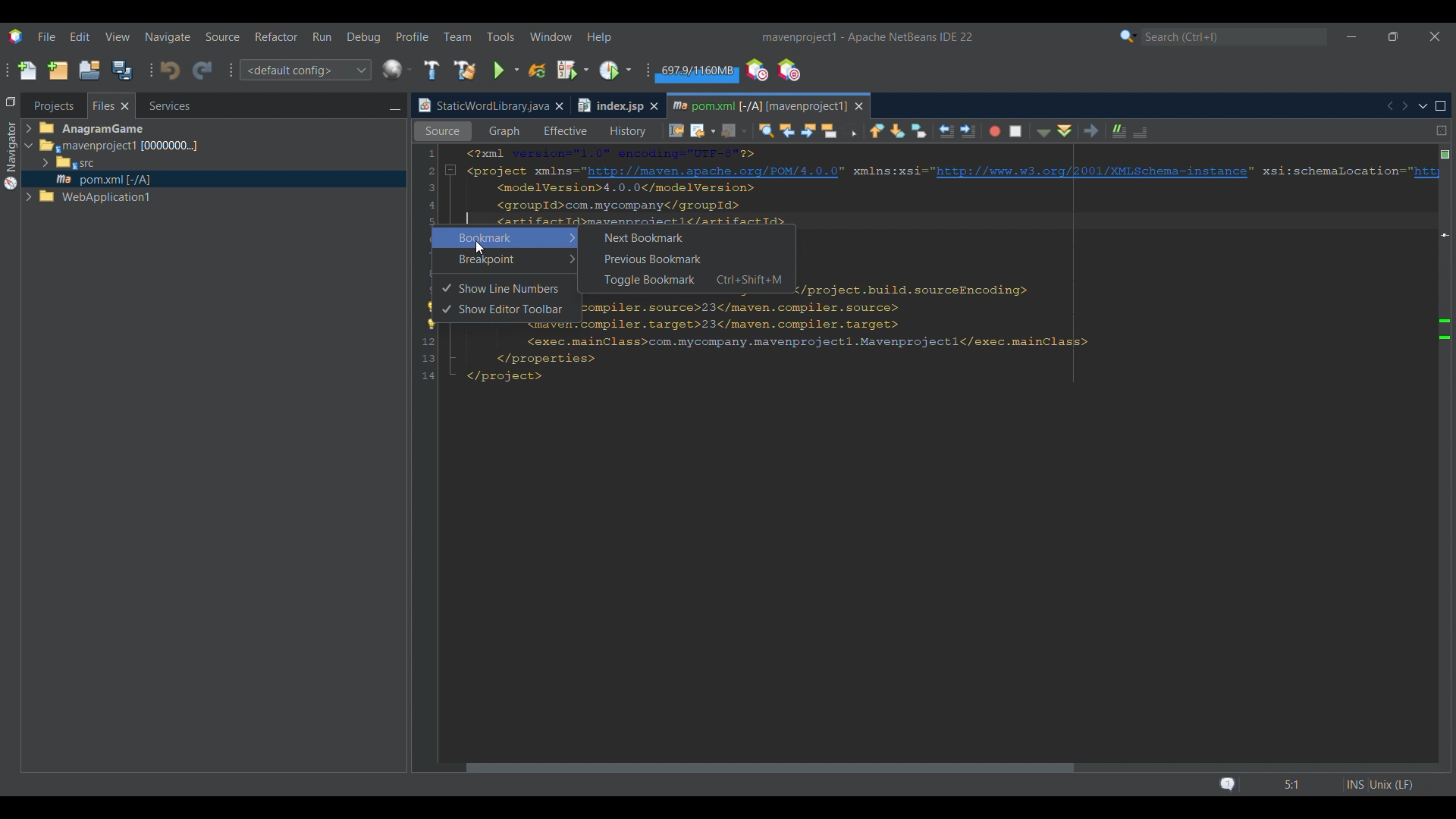  I want to click on IDE's default browser, so click(397, 70).